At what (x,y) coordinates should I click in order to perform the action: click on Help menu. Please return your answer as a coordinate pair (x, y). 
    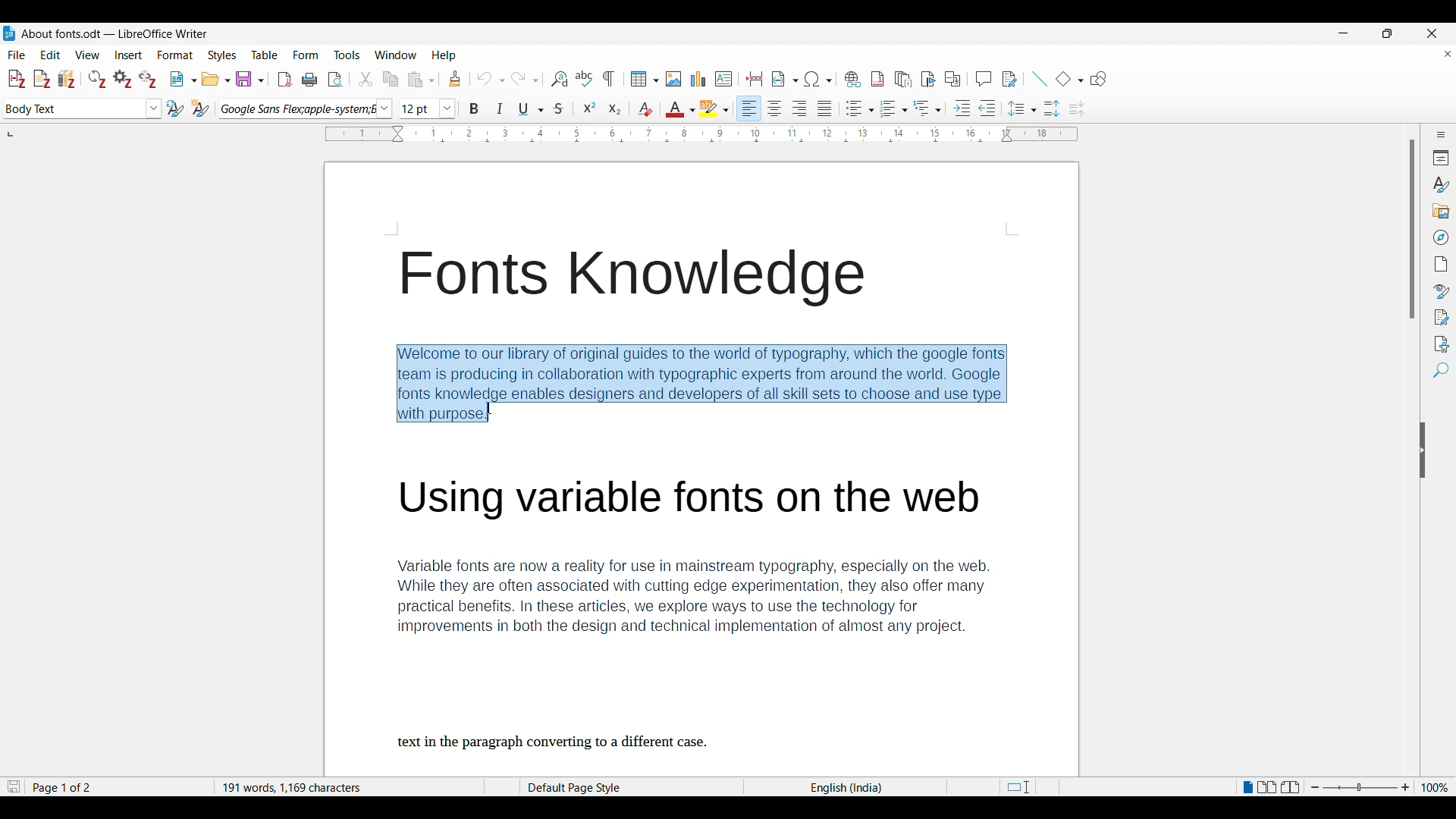
    Looking at the image, I should click on (444, 56).